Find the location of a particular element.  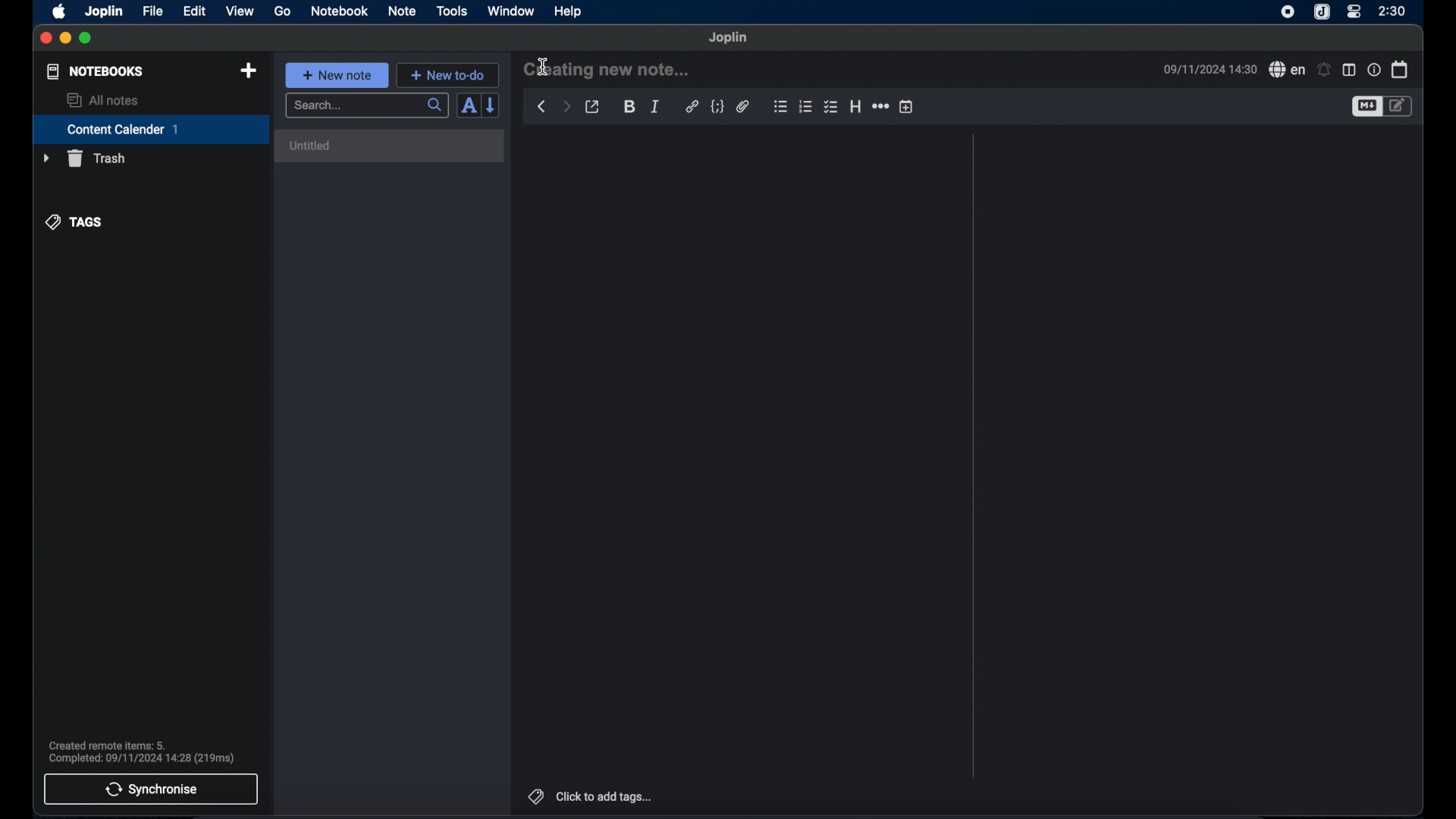

joplin is located at coordinates (104, 11).